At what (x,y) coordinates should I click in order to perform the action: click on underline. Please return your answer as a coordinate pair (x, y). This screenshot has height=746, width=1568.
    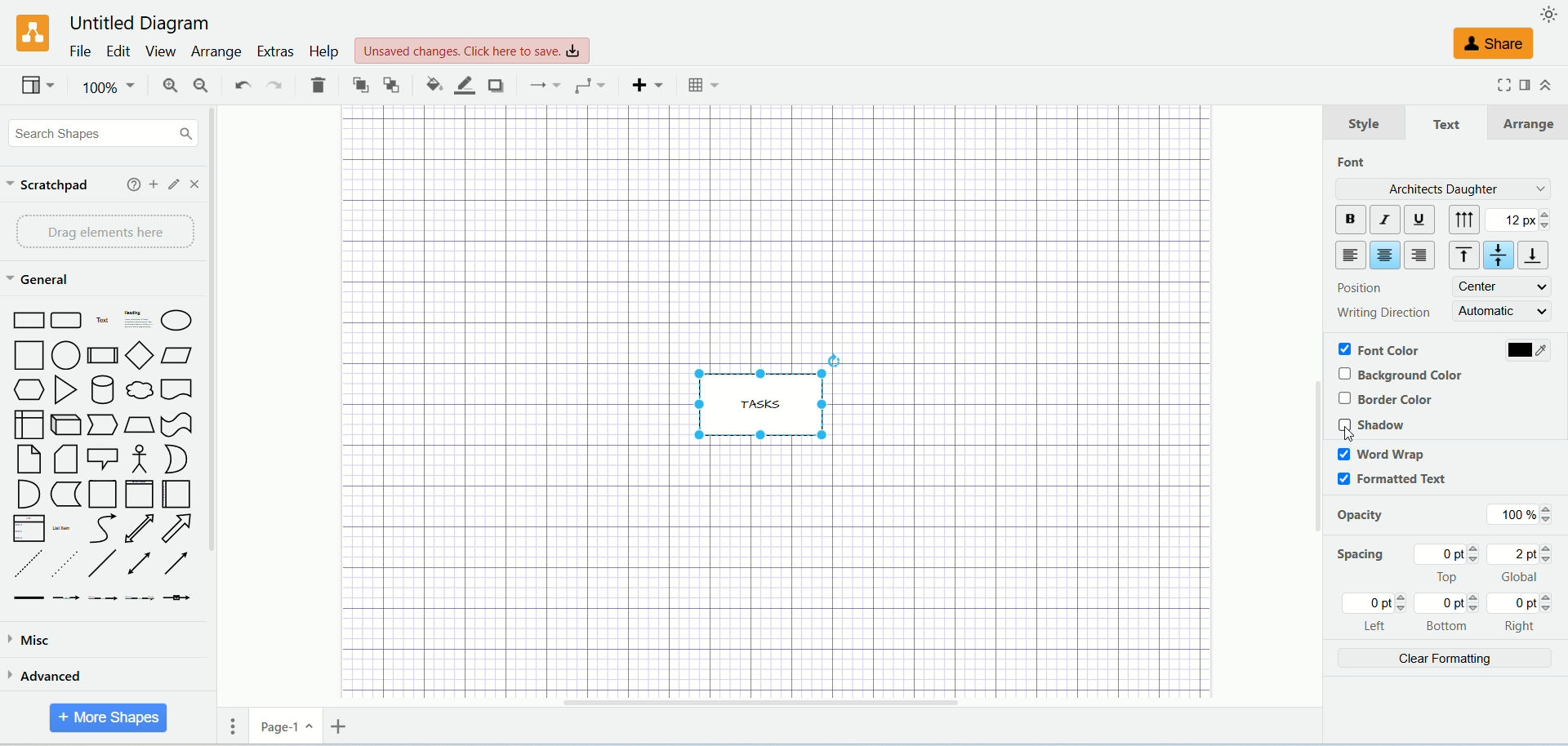
    Looking at the image, I should click on (1420, 220).